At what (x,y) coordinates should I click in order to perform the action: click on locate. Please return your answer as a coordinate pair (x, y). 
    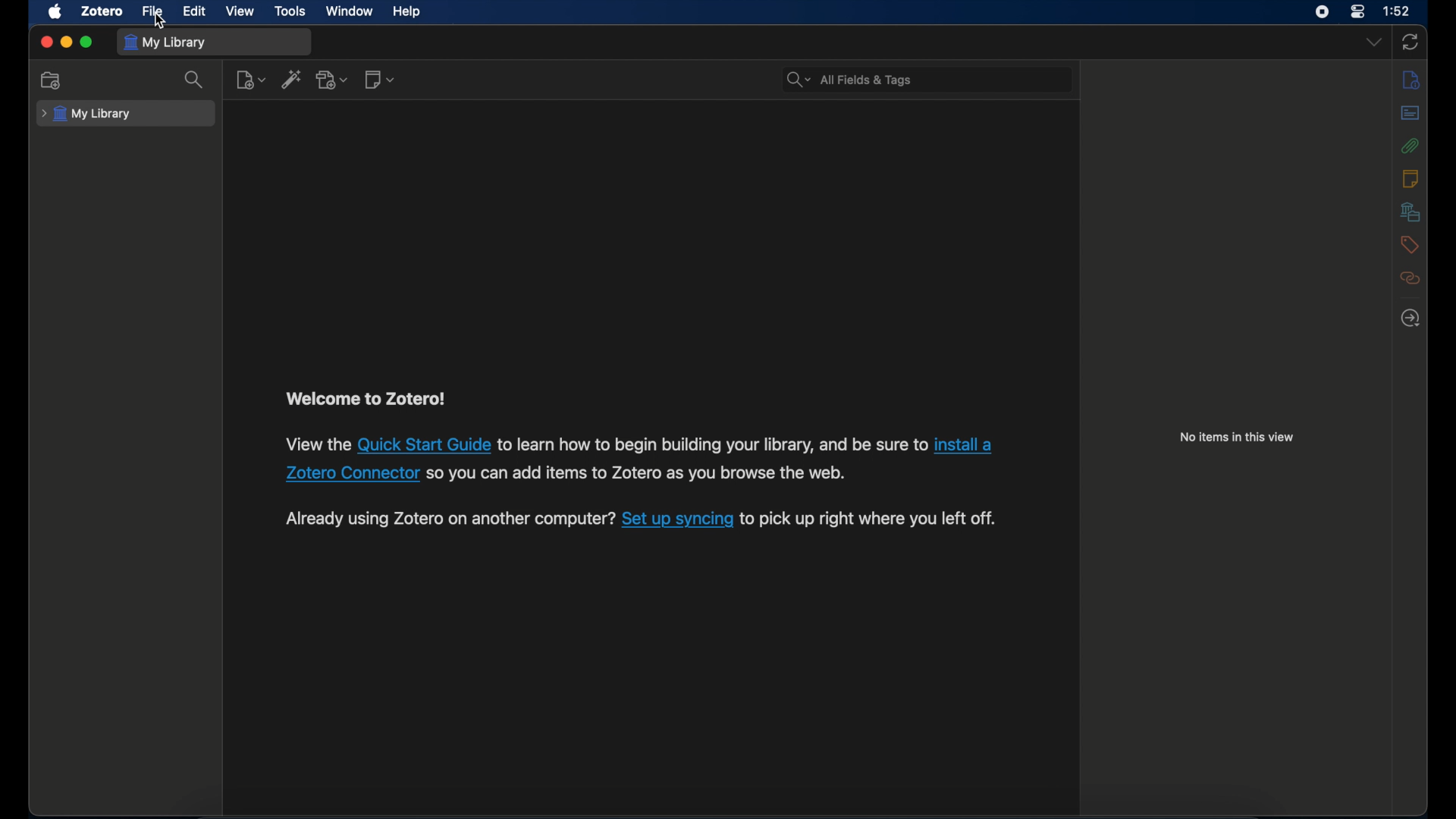
    Looking at the image, I should click on (1411, 319).